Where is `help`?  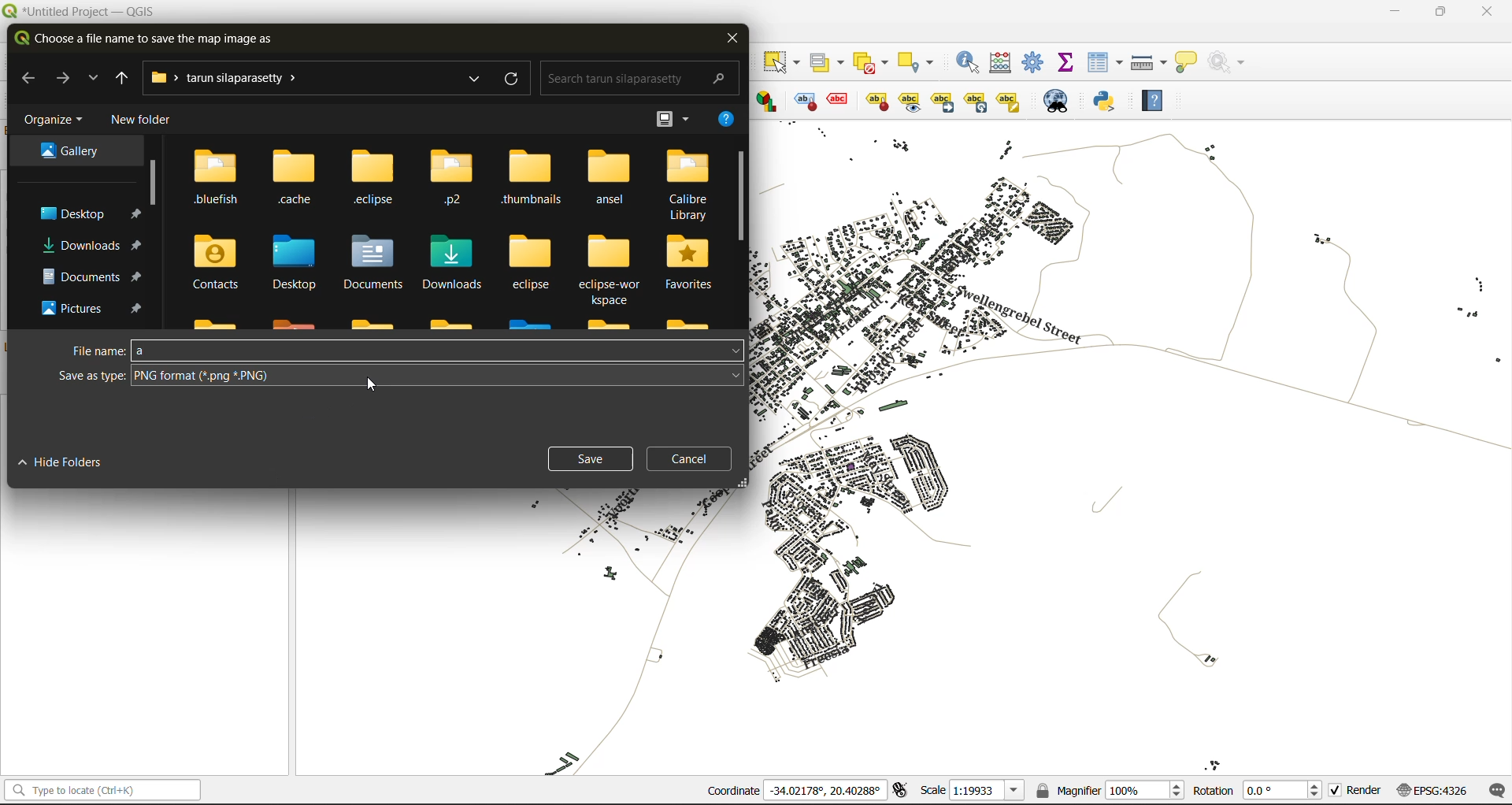
help is located at coordinates (1159, 100).